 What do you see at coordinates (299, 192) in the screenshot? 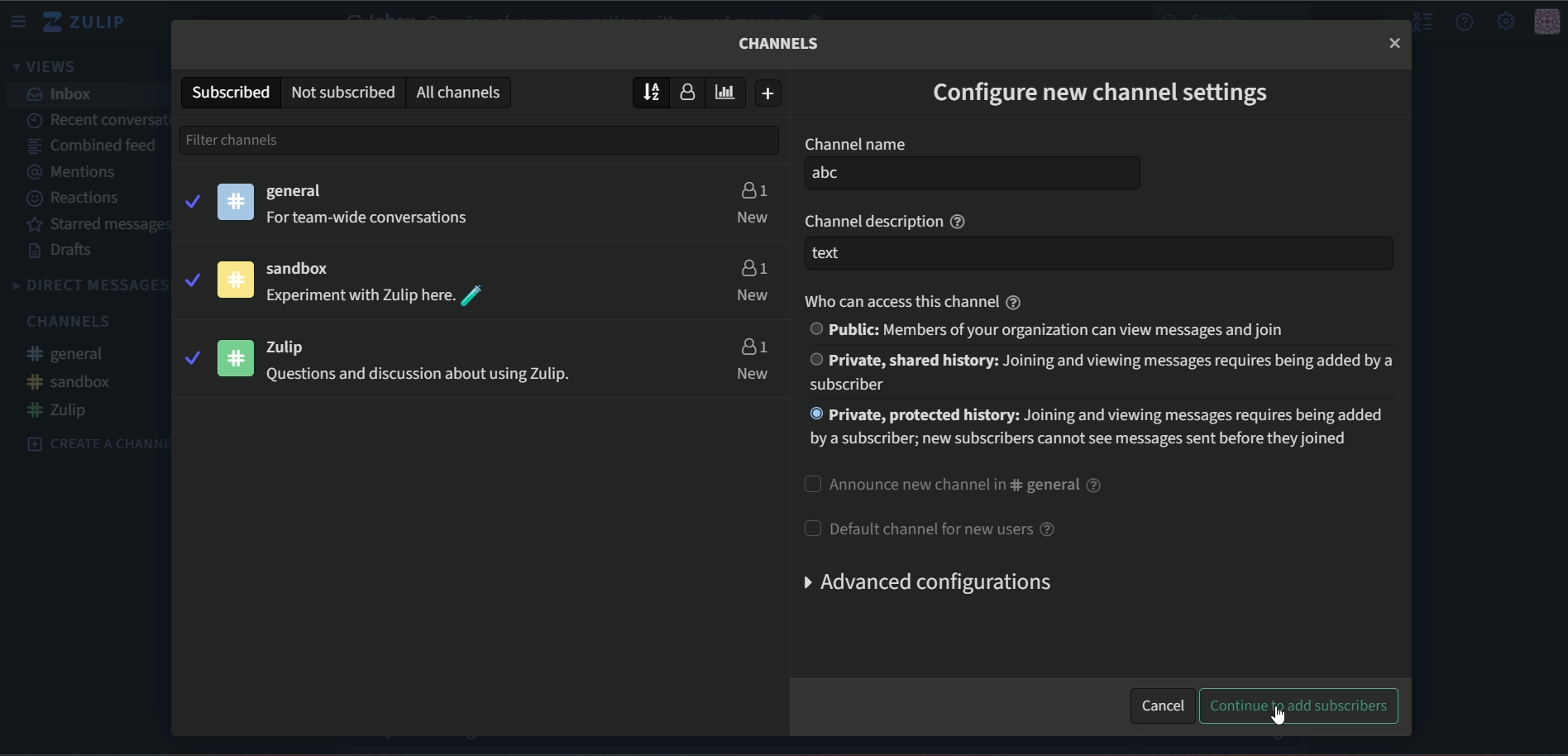
I see `general` at bounding box center [299, 192].